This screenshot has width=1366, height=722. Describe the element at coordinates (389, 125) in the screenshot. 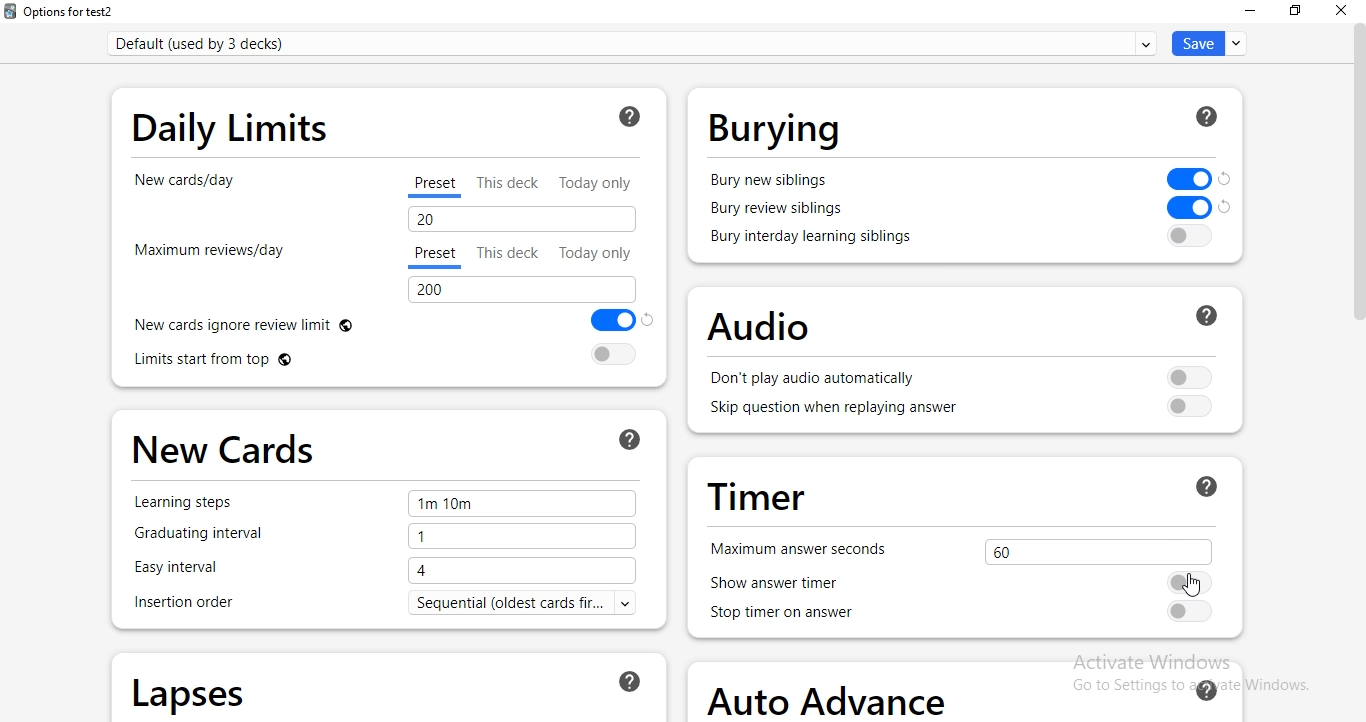

I see `daily limits` at that location.